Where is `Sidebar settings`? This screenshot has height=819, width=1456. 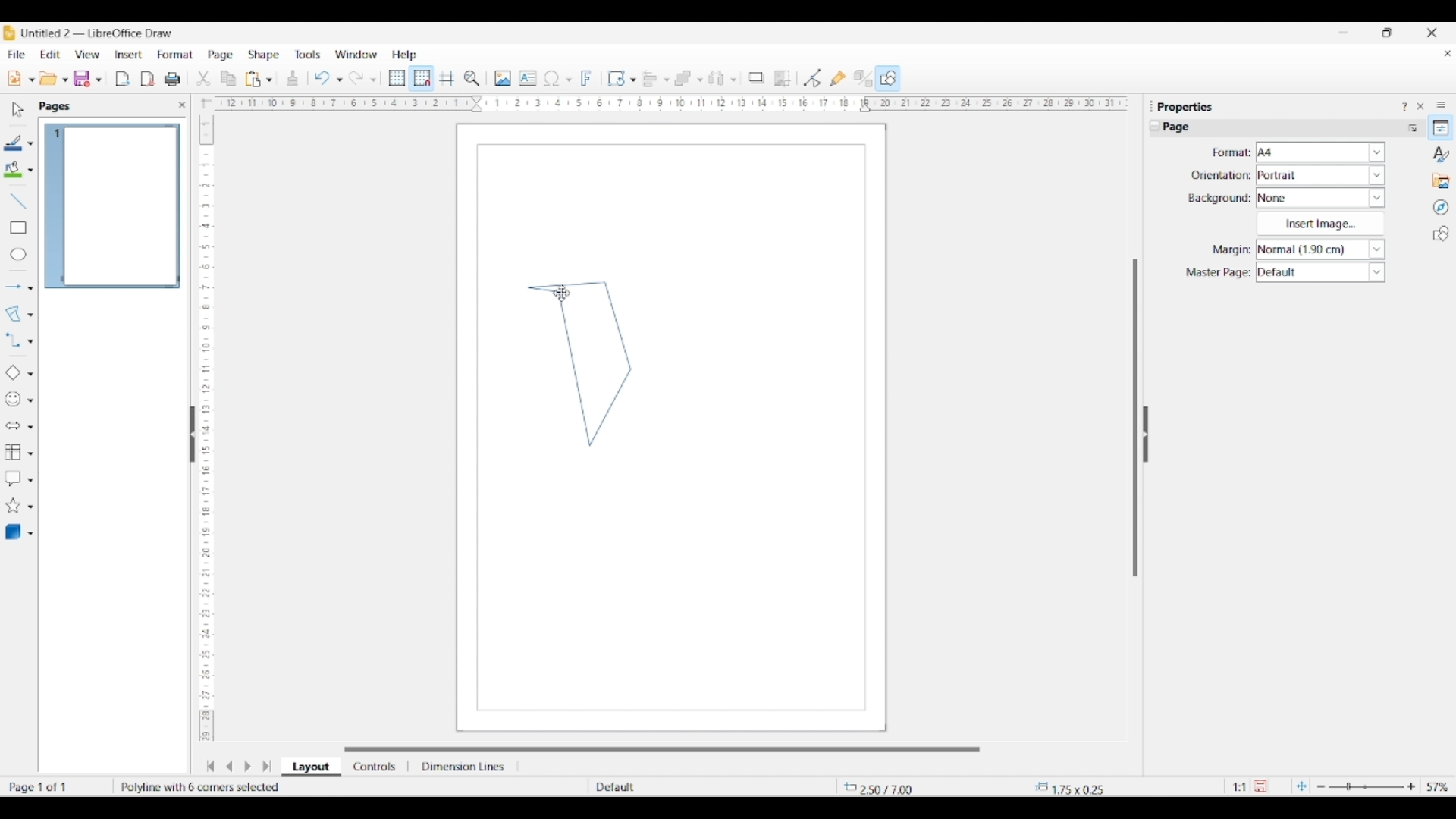 Sidebar settings is located at coordinates (1441, 104).